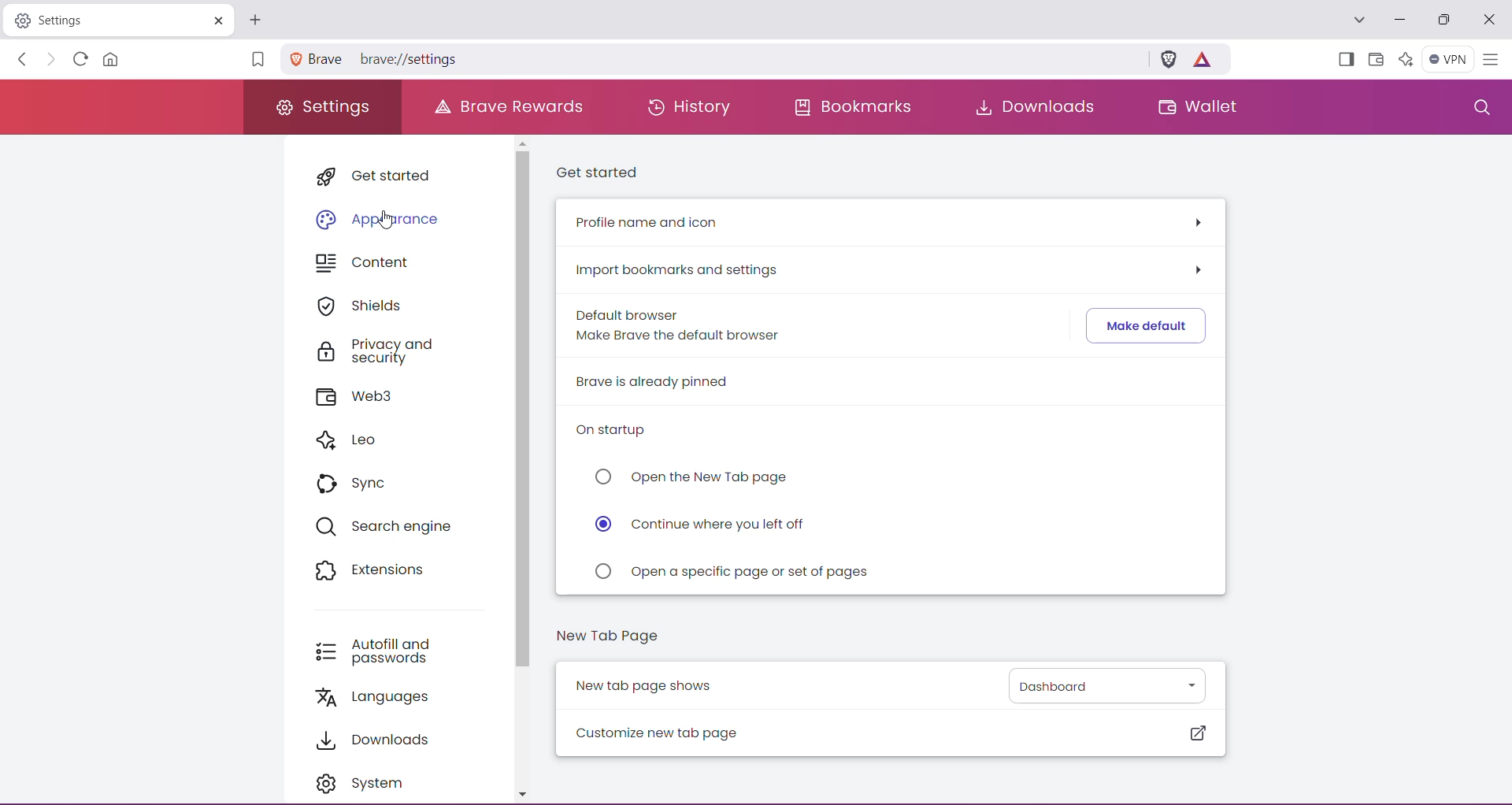  Describe the element at coordinates (355, 398) in the screenshot. I see `Web3` at that location.